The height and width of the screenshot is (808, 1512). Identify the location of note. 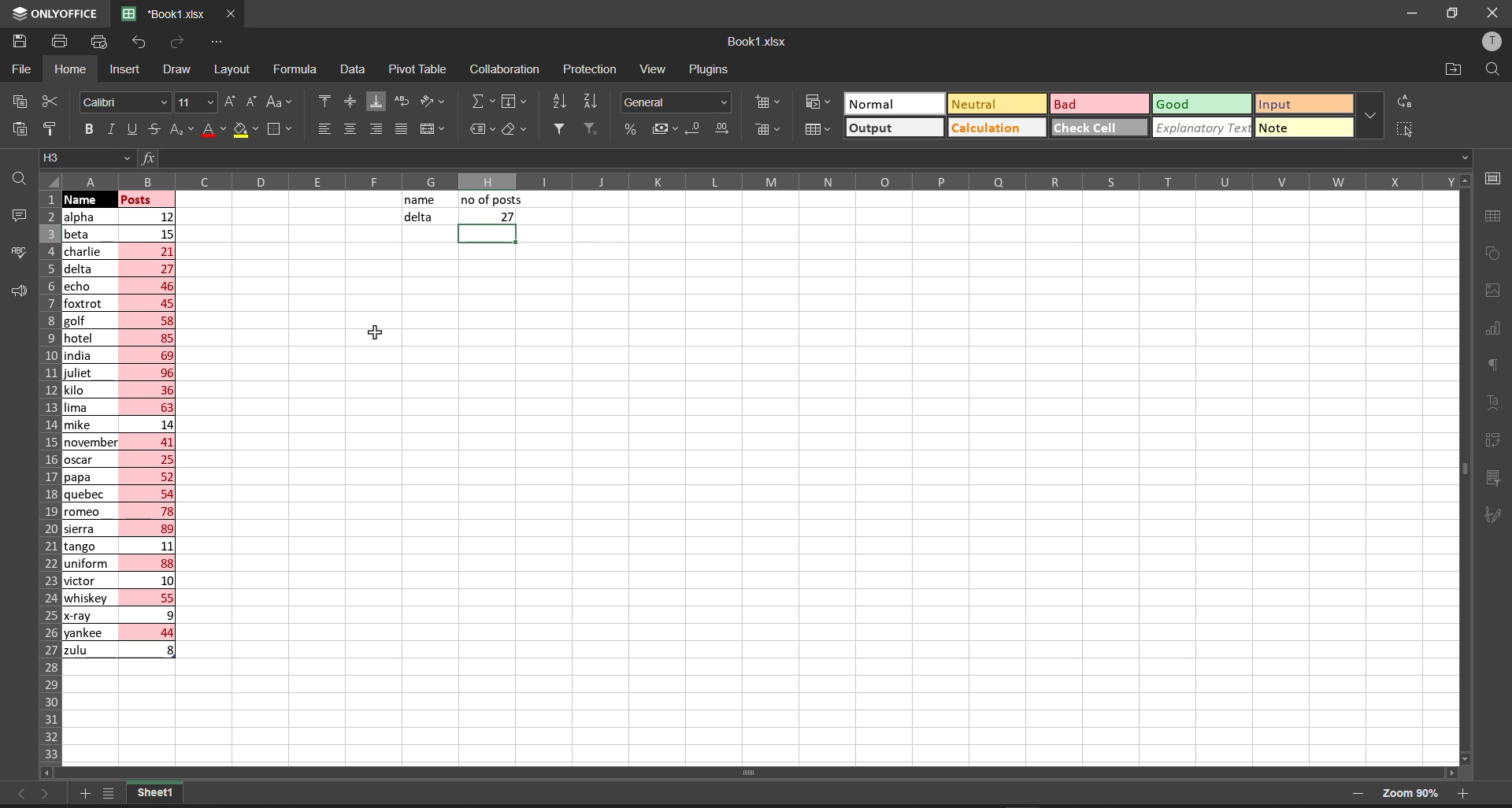
(1285, 126).